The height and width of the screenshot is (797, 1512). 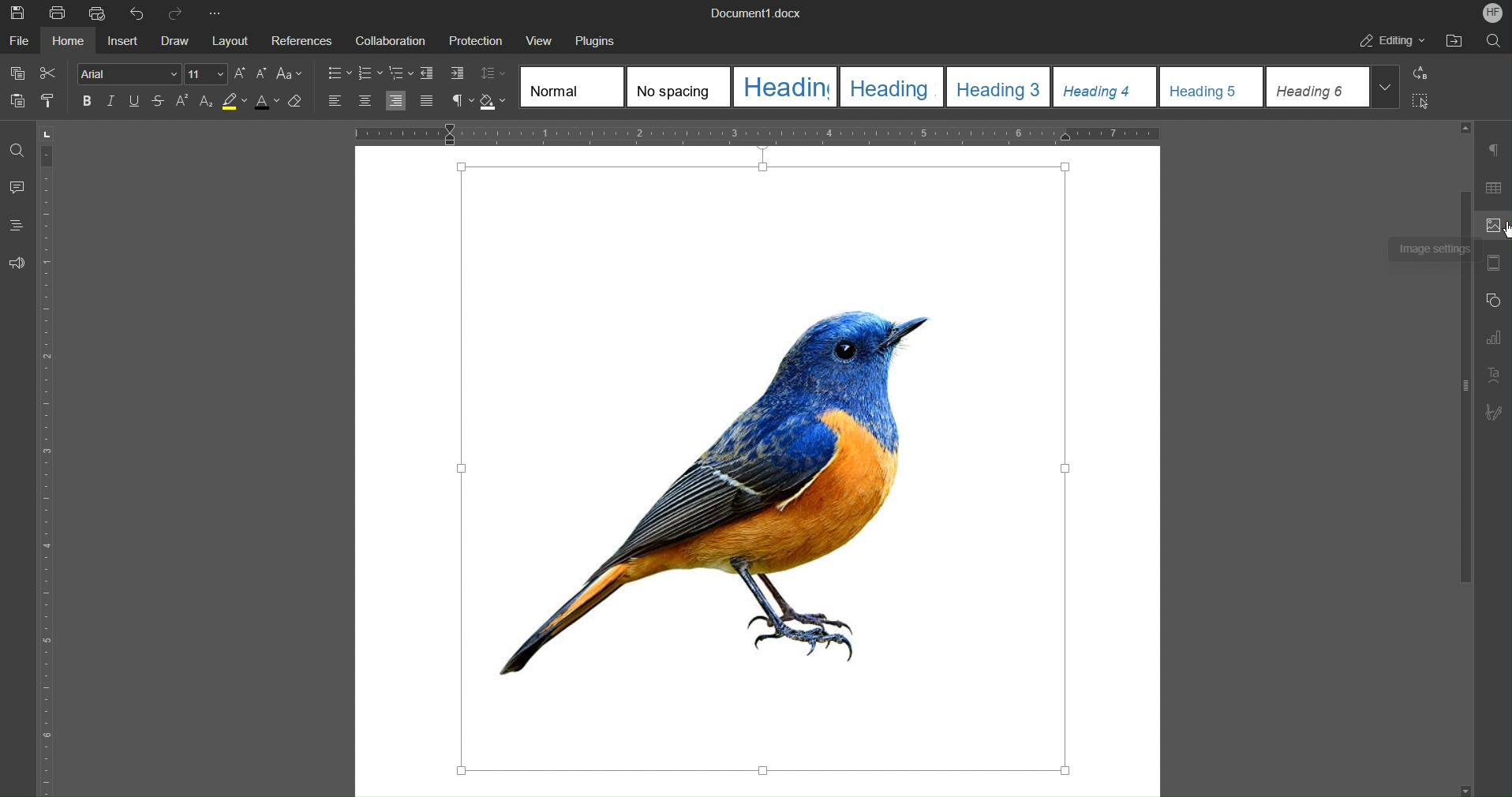 What do you see at coordinates (1493, 186) in the screenshot?
I see `Table` at bounding box center [1493, 186].